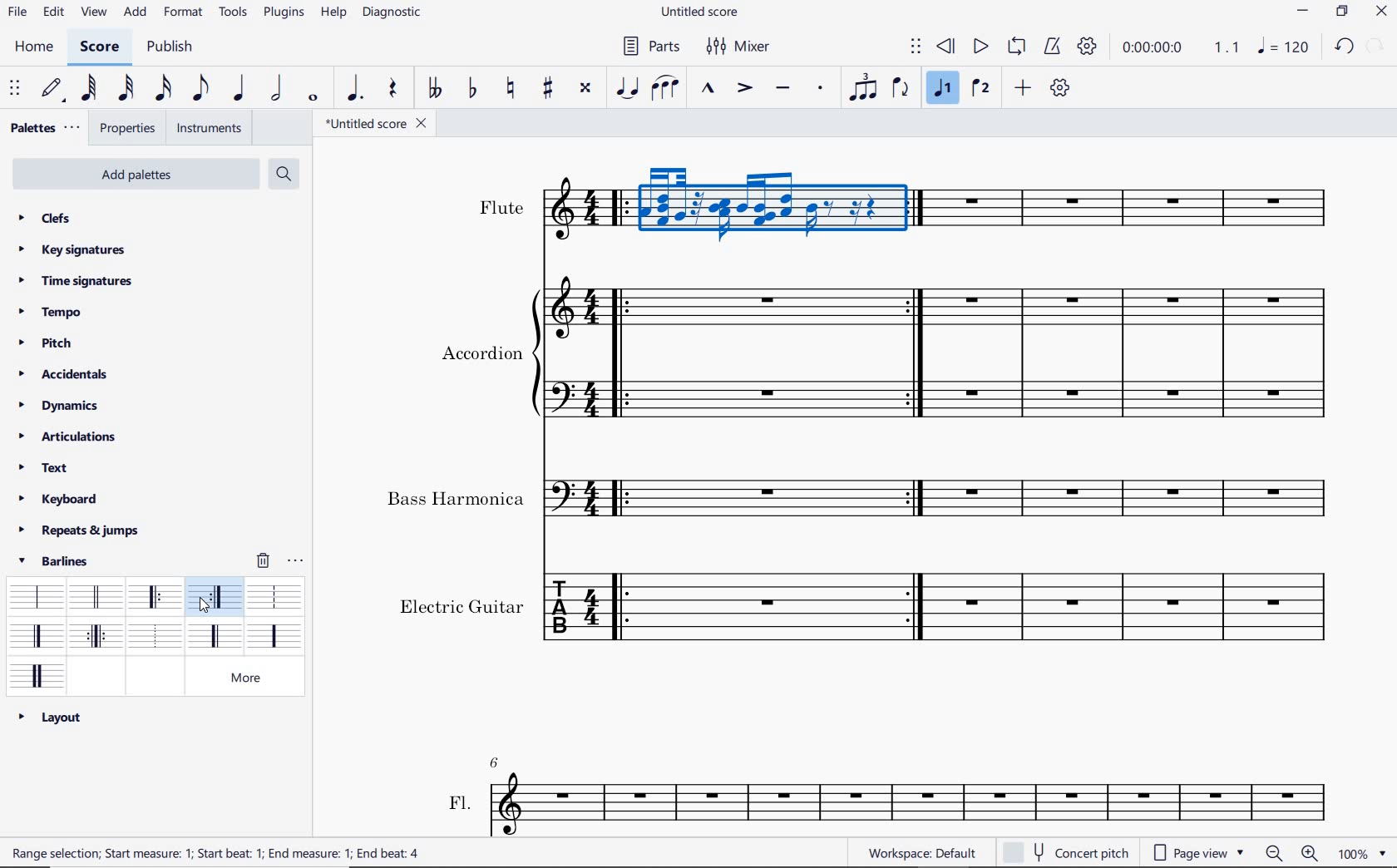  What do you see at coordinates (72, 251) in the screenshot?
I see `key signatures` at bounding box center [72, 251].